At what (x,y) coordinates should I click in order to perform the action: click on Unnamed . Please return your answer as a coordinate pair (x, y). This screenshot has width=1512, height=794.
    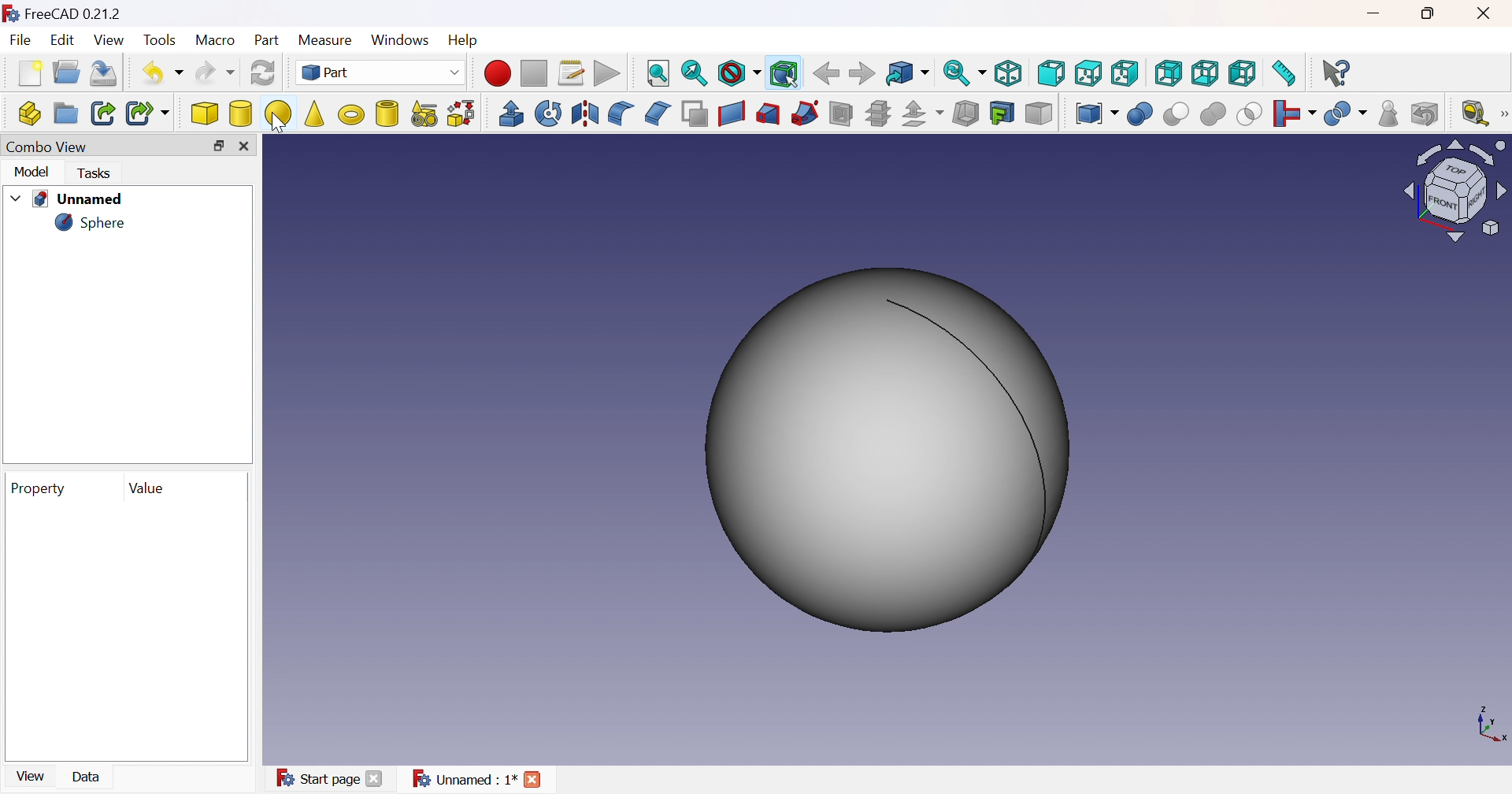
    Looking at the image, I should click on (483, 779).